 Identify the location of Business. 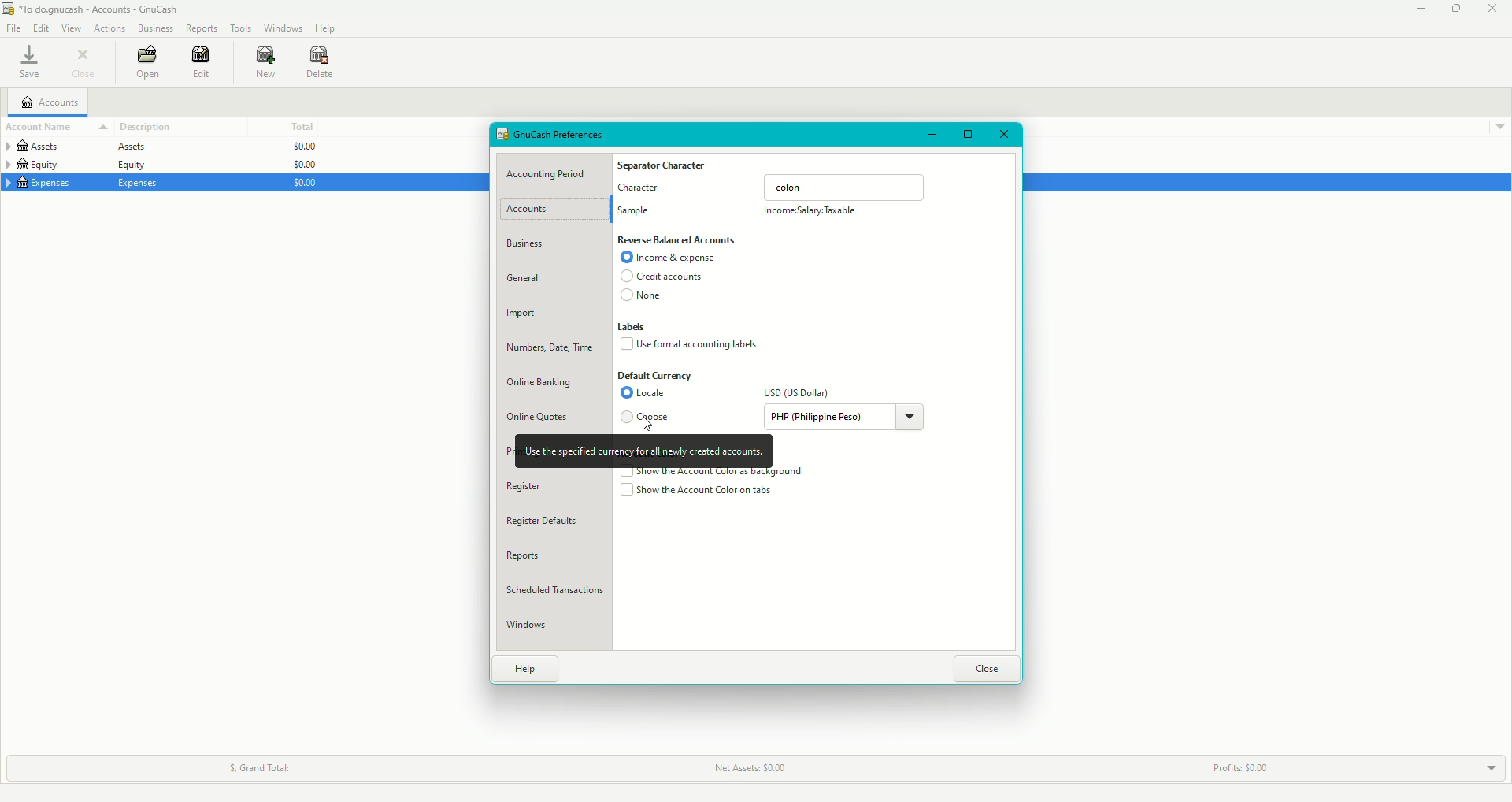
(528, 244).